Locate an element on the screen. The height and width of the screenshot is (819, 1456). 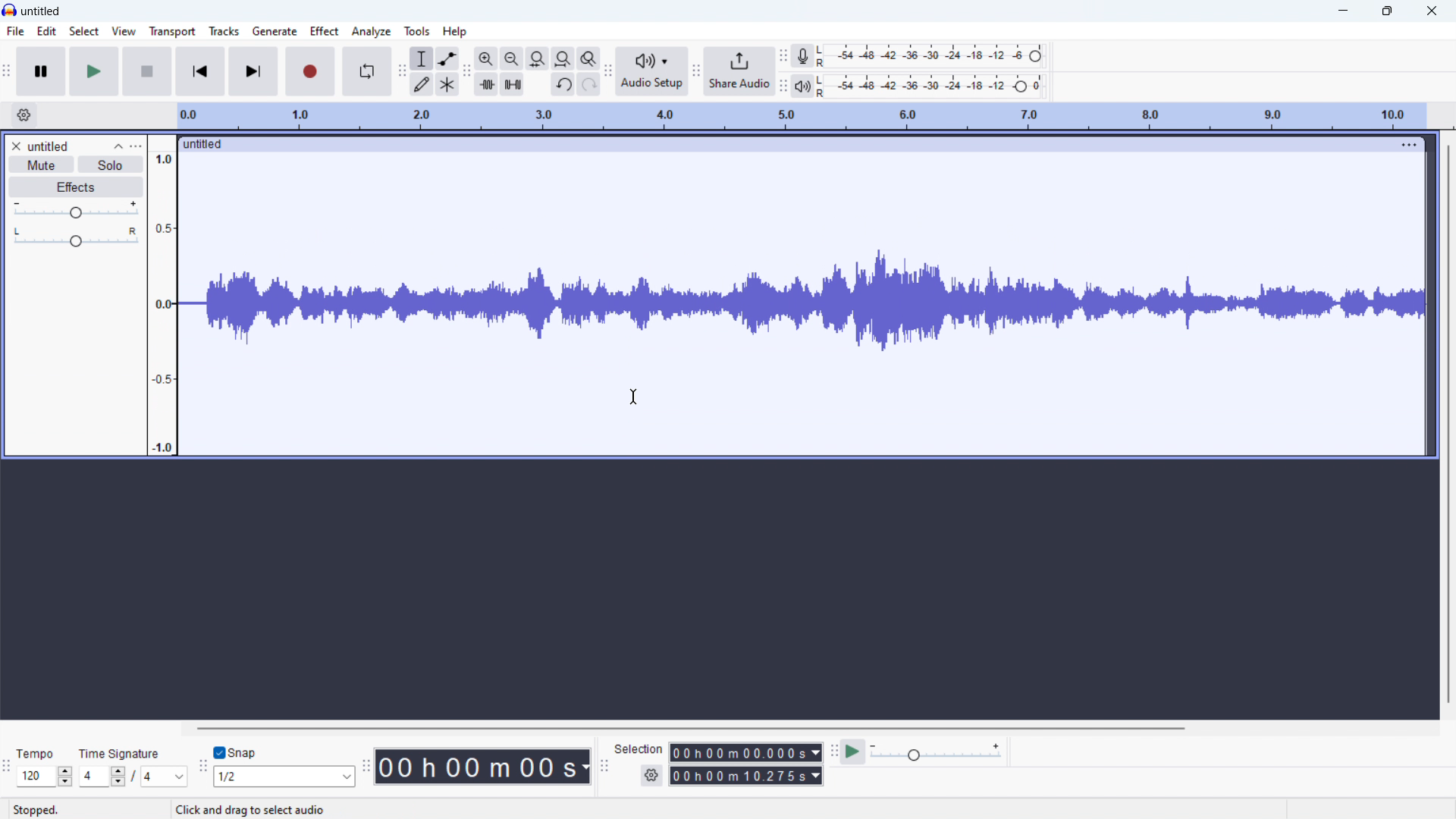
select is located at coordinates (83, 30).